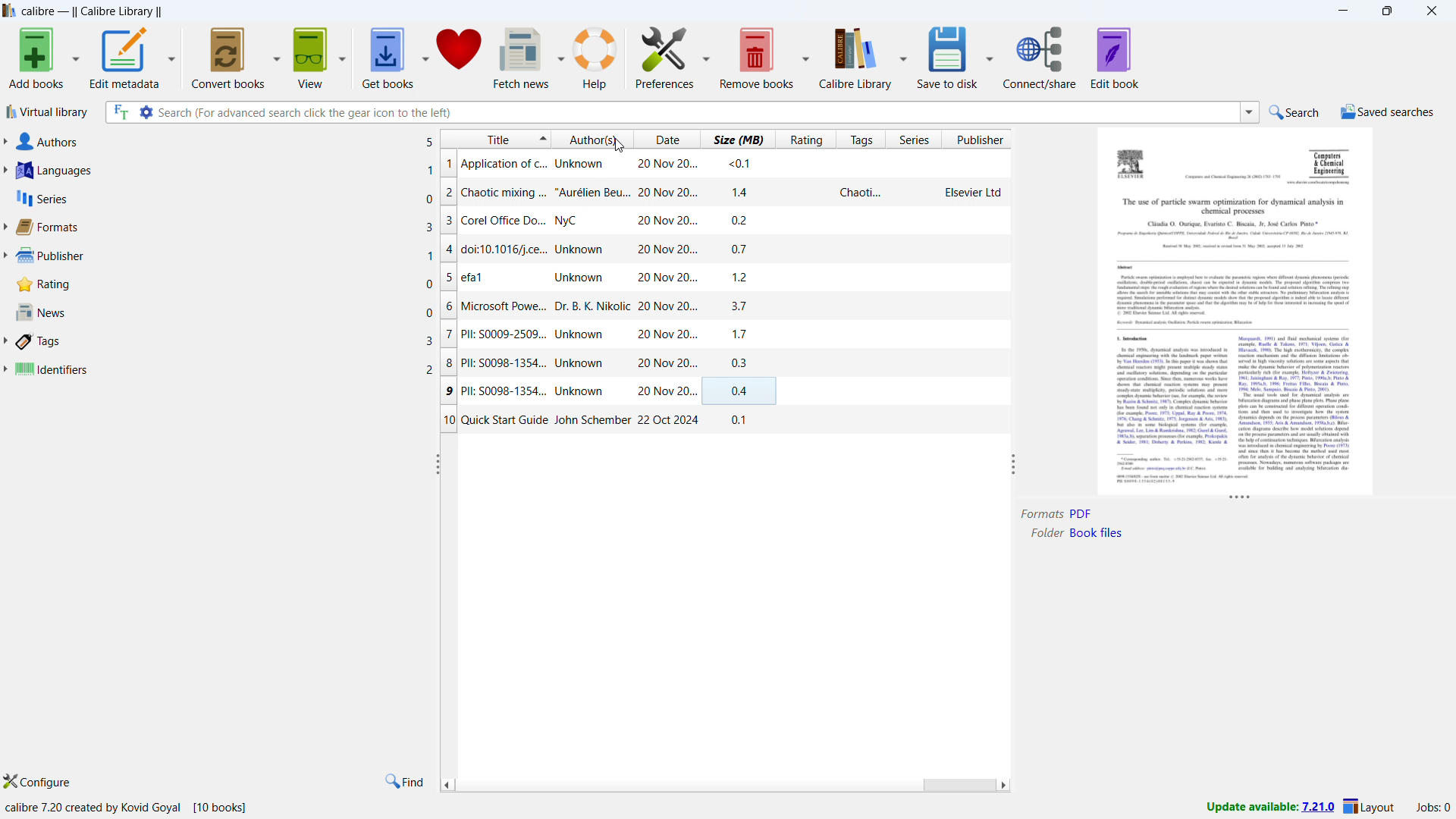  Describe the element at coordinates (1168, 409) in the screenshot. I see `` at that location.